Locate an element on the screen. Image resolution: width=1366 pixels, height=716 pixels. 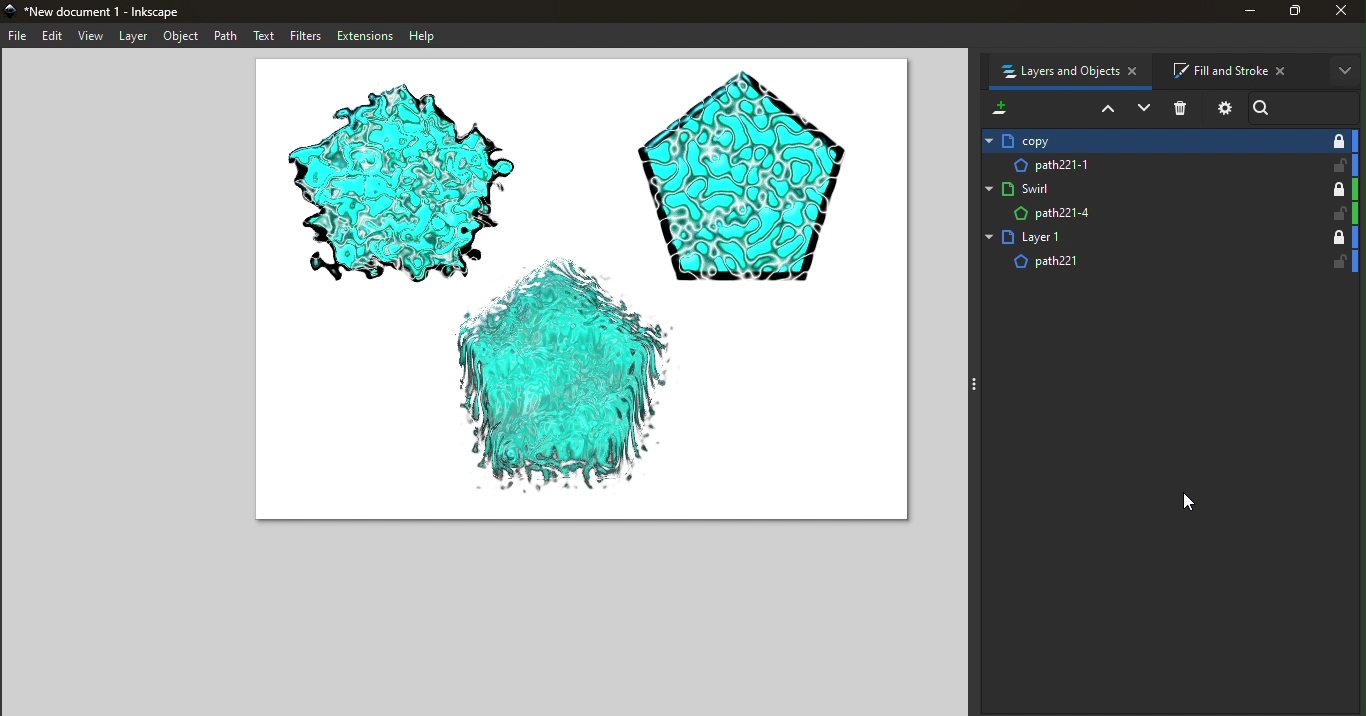
Layer 1 is located at coordinates (1149, 238).